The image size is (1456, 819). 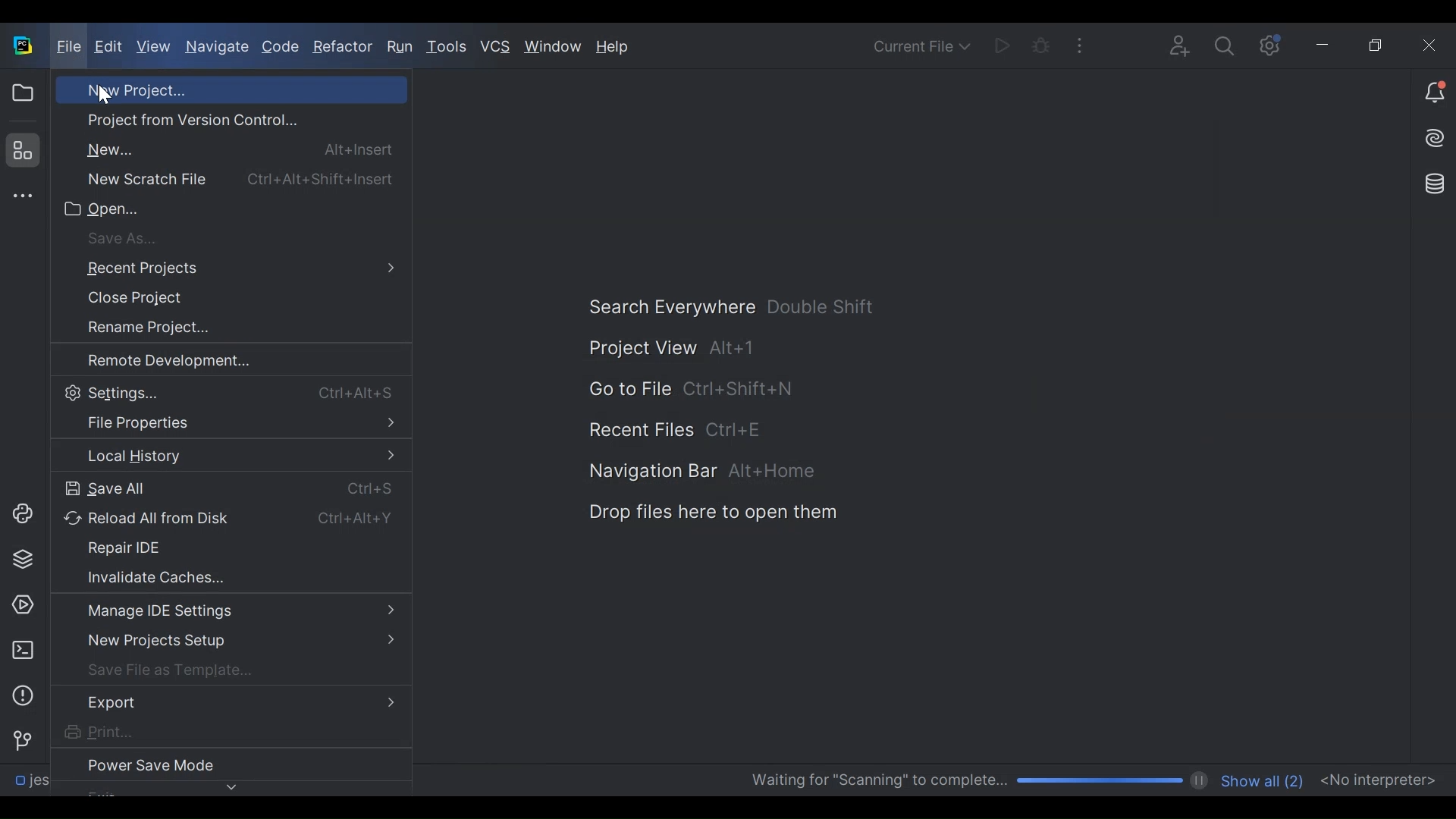 What do you see at coordinates (209, 764) in the screenshot?
I see `Power Save Mode` at bounding box center [209, 764].